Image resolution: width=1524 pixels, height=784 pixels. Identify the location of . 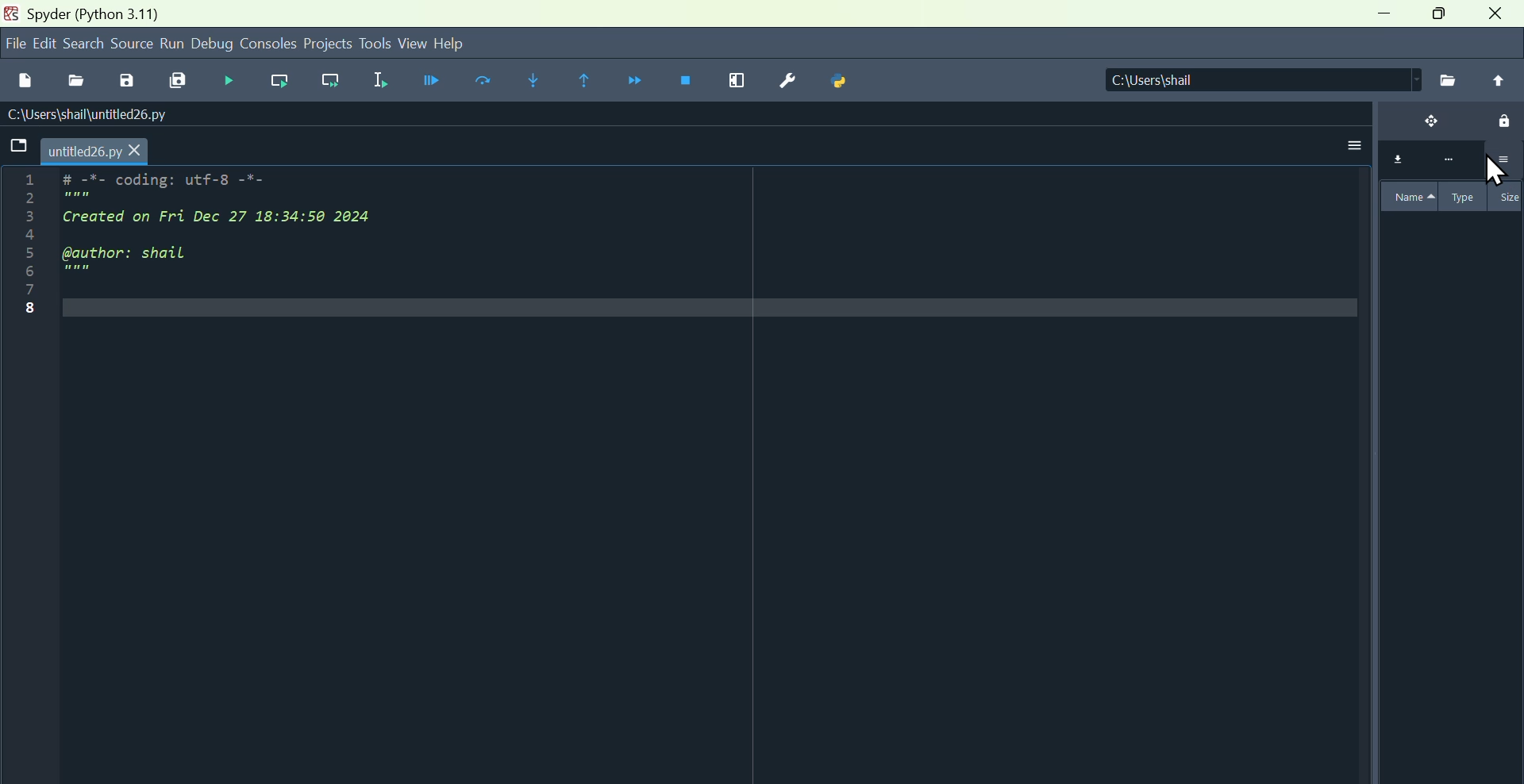
(44, 43).